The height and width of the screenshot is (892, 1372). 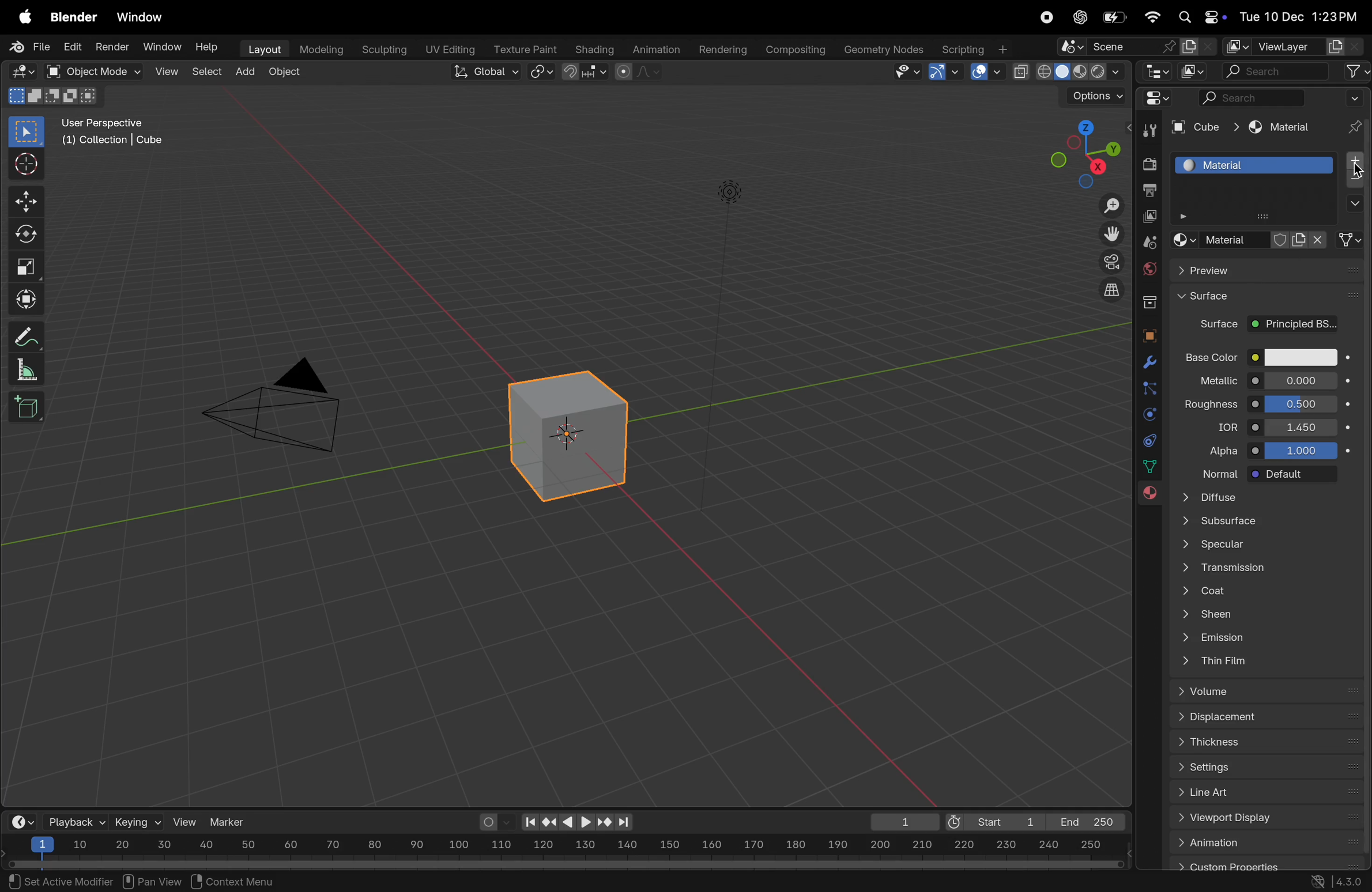 What do you see at coordinates (1162, 101) in the screenshot?
I see `editor type` at bounding box center [1162, 101].